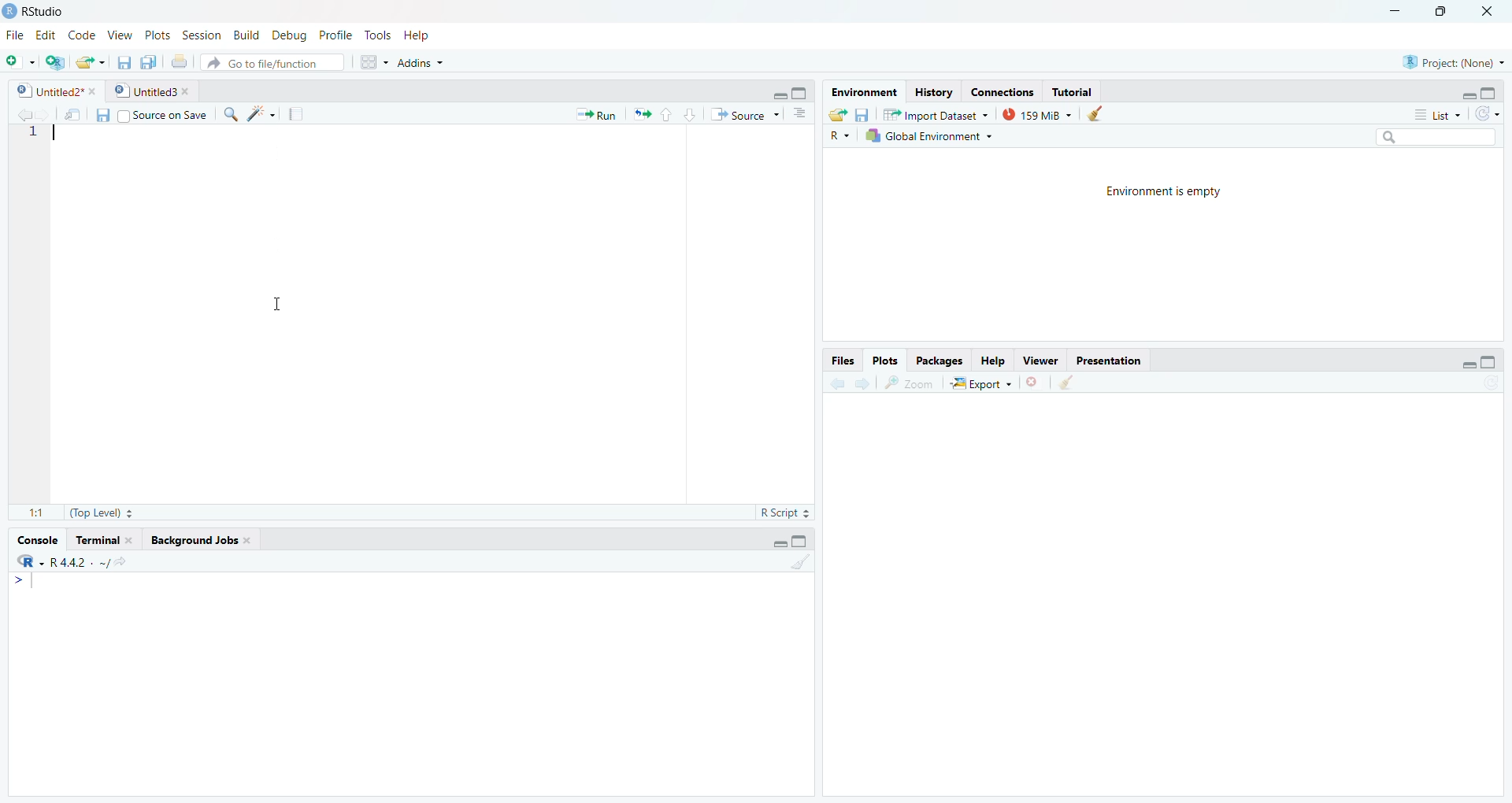  Describe the element at coordinates (245, 35) in the screenshot. I see `Build` at that location.